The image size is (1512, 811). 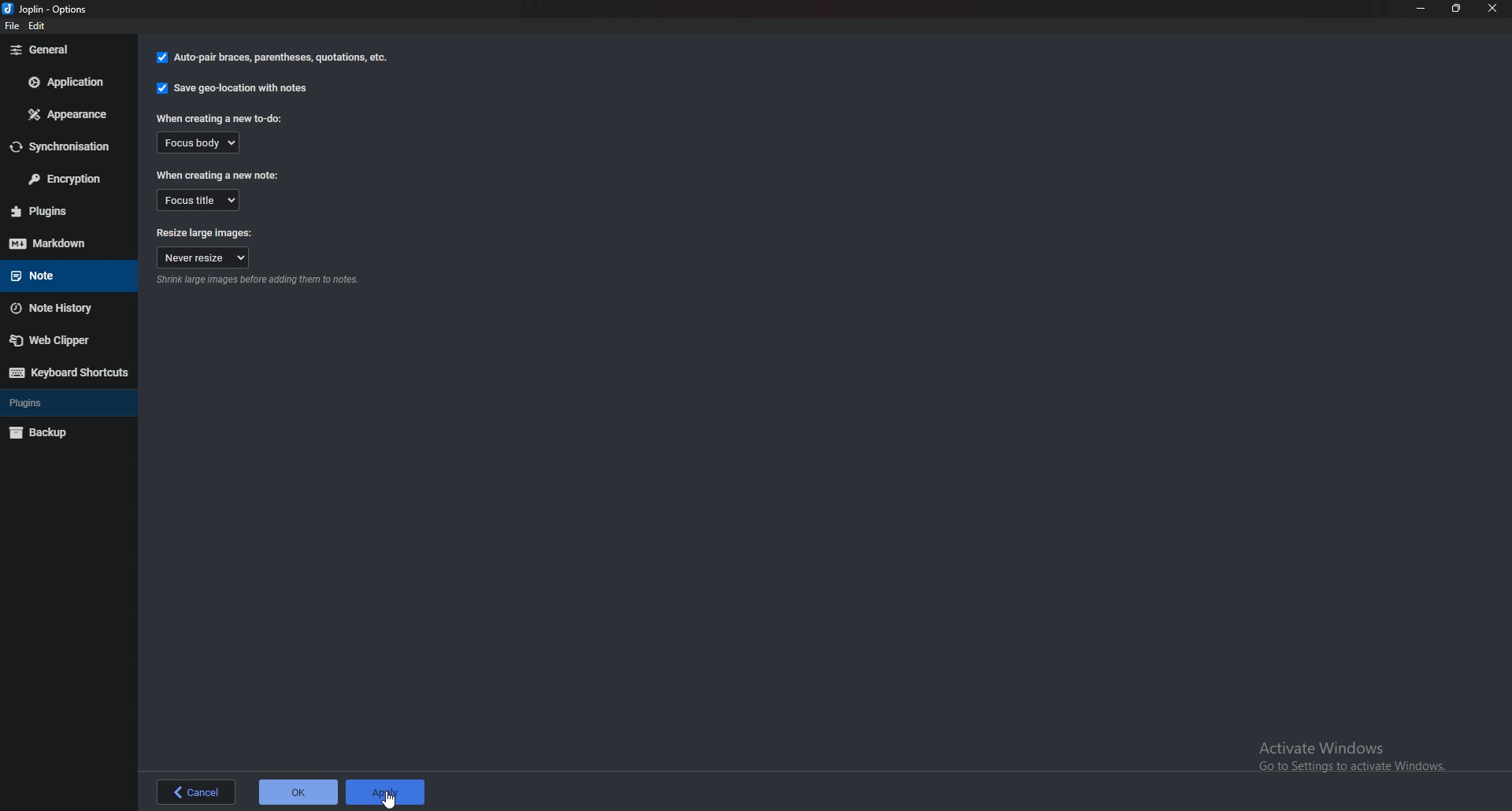 What do you see at coordinates (206, 234) in the screenshot?
I see `Resize large images` at bounding box center [206, 234].